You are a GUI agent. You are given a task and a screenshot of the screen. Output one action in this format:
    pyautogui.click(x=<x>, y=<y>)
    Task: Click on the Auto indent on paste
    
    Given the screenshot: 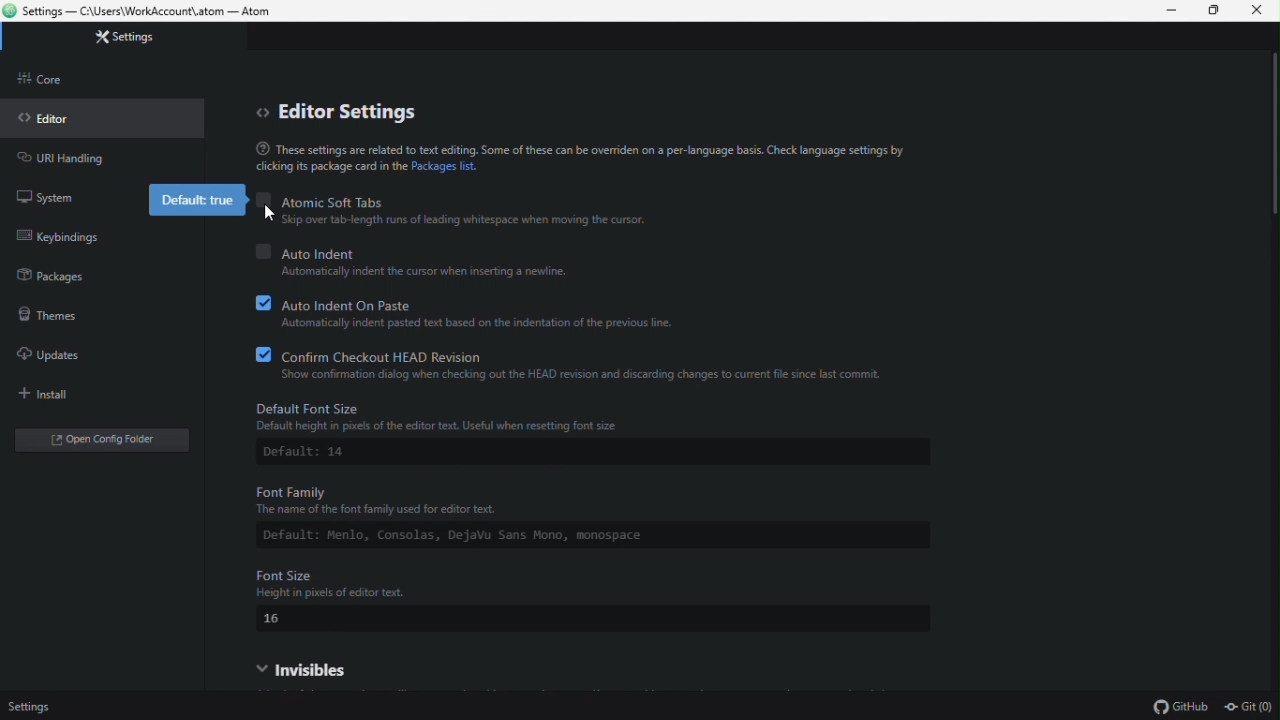 What is the action you would take?
    pyautogui.click(x=493, y=303)
    